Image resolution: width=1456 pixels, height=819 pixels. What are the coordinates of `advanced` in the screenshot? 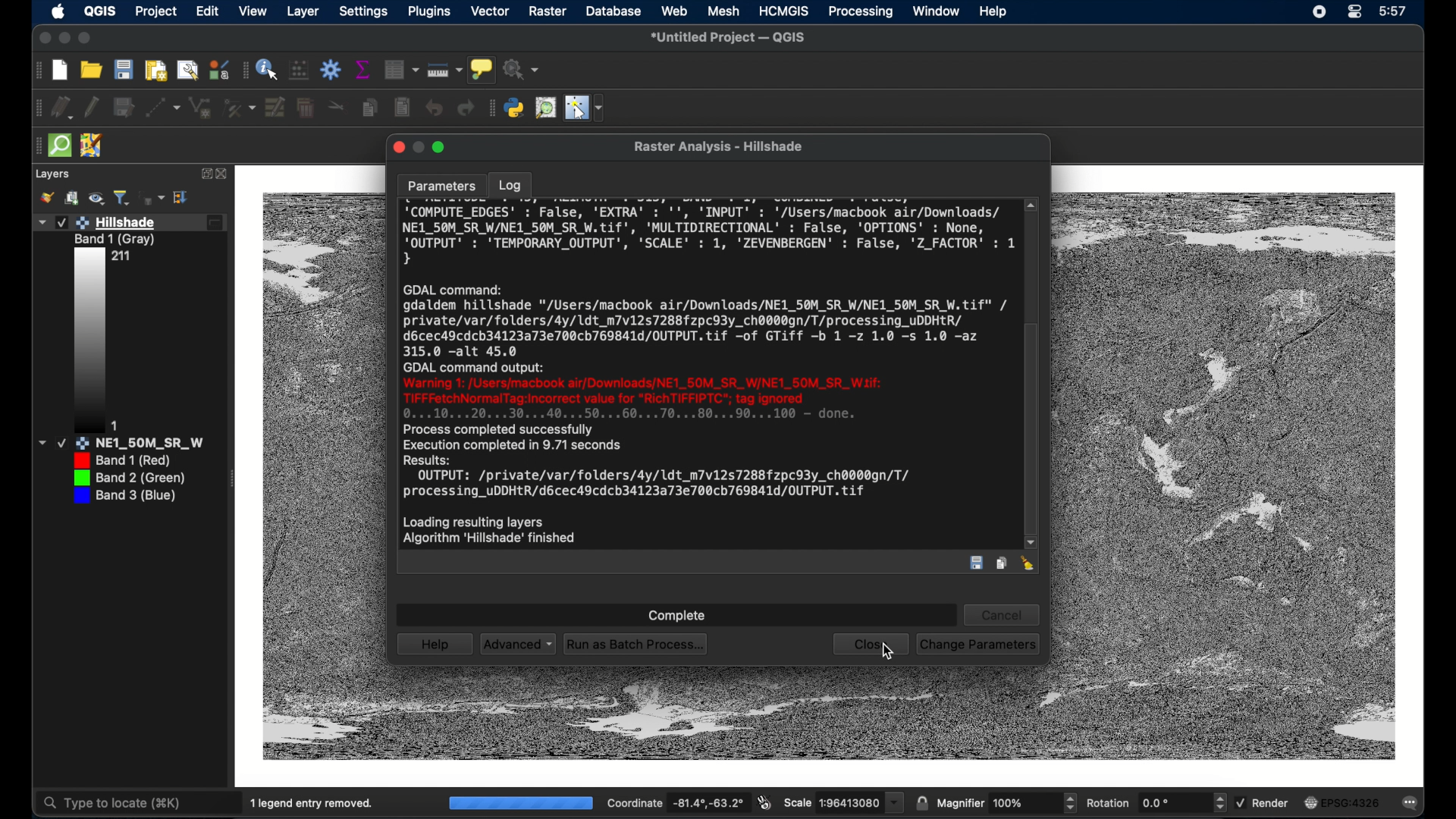 It's located at (517, 643).